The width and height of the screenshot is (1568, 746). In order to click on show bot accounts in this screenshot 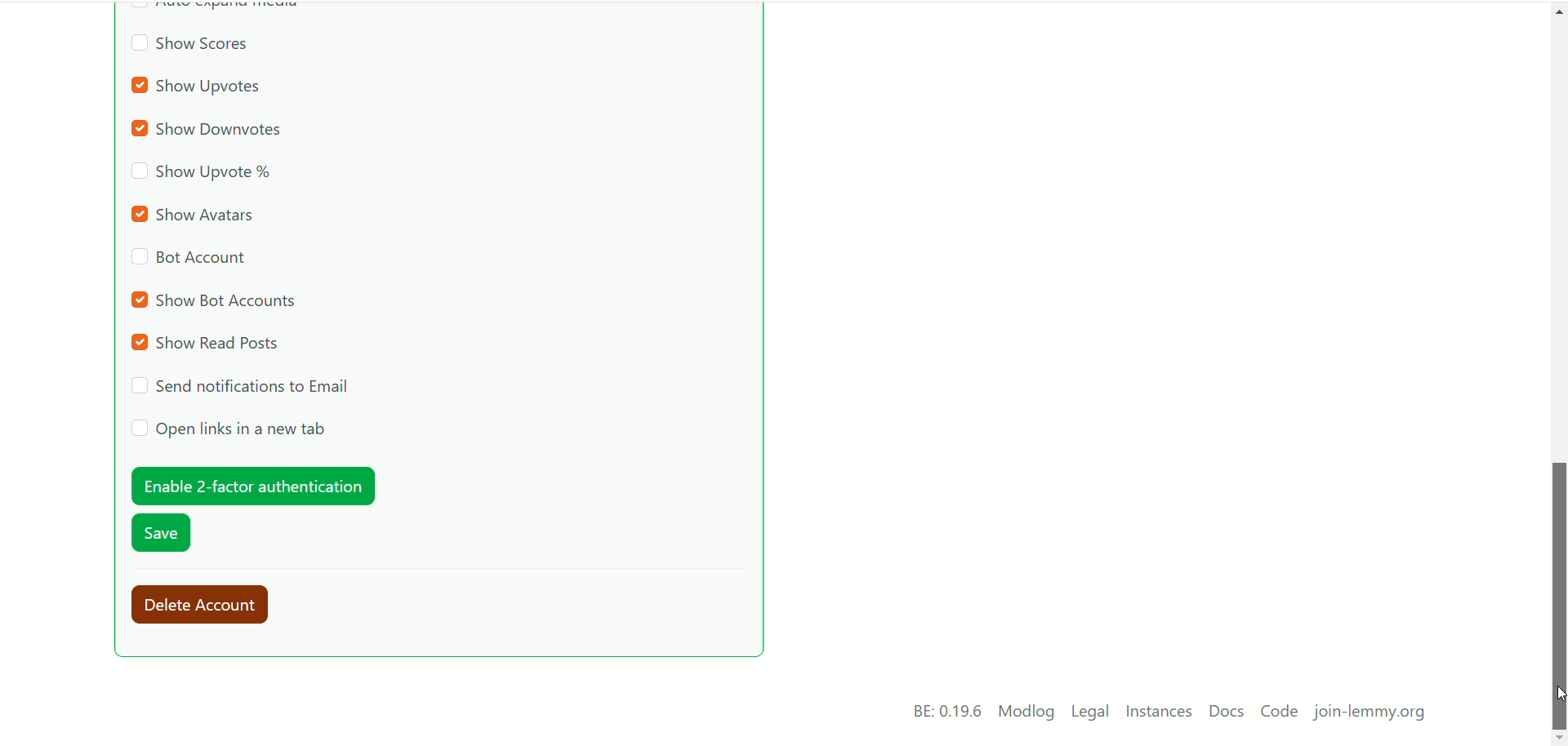, I will do `click(216, 300)`.